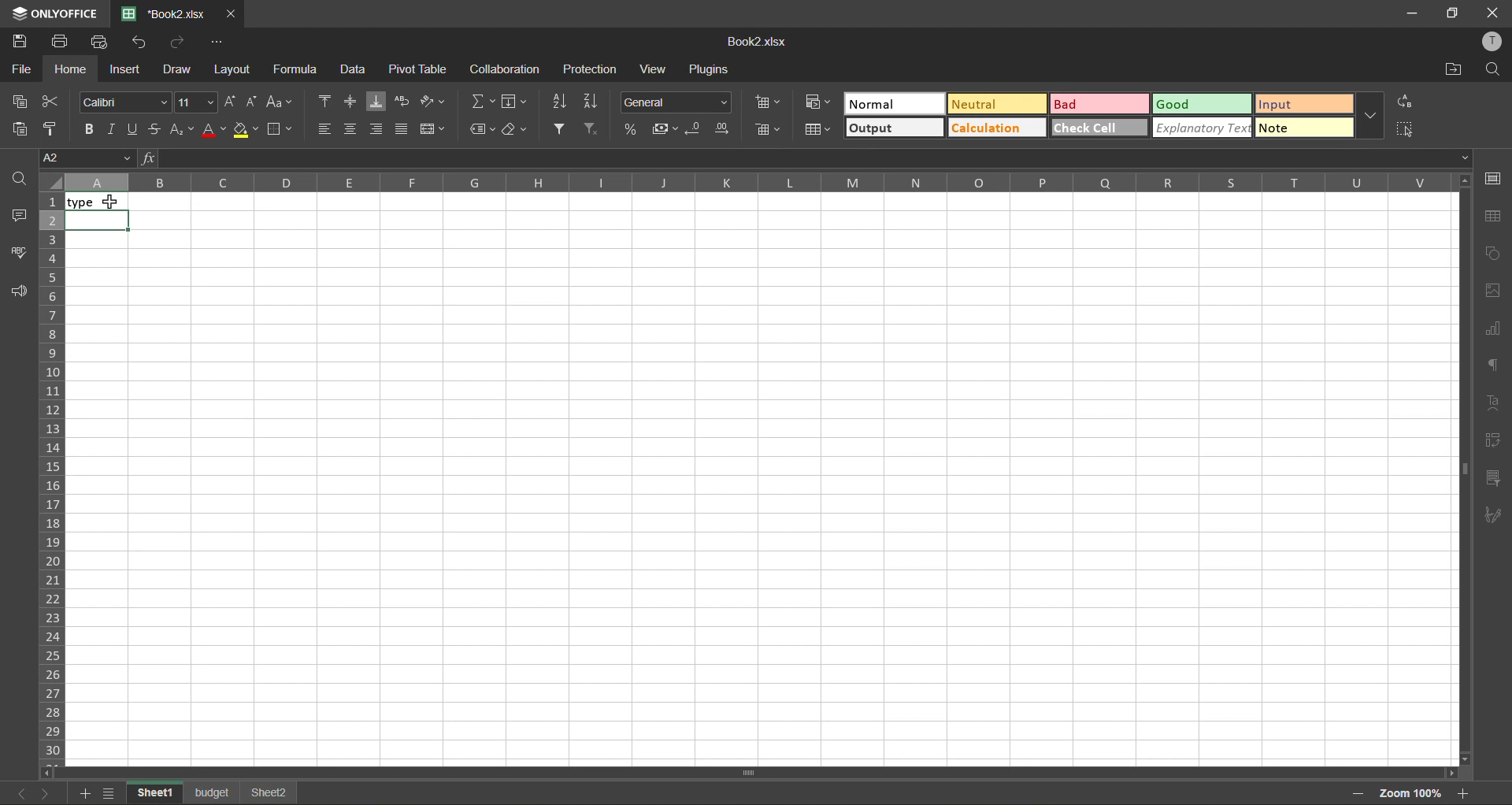 The height and width of the screenshot is (805, 1512). What do you see at coordinates (17, 177) in the screenshot?
I see `find` at bounding box center [17, 177].